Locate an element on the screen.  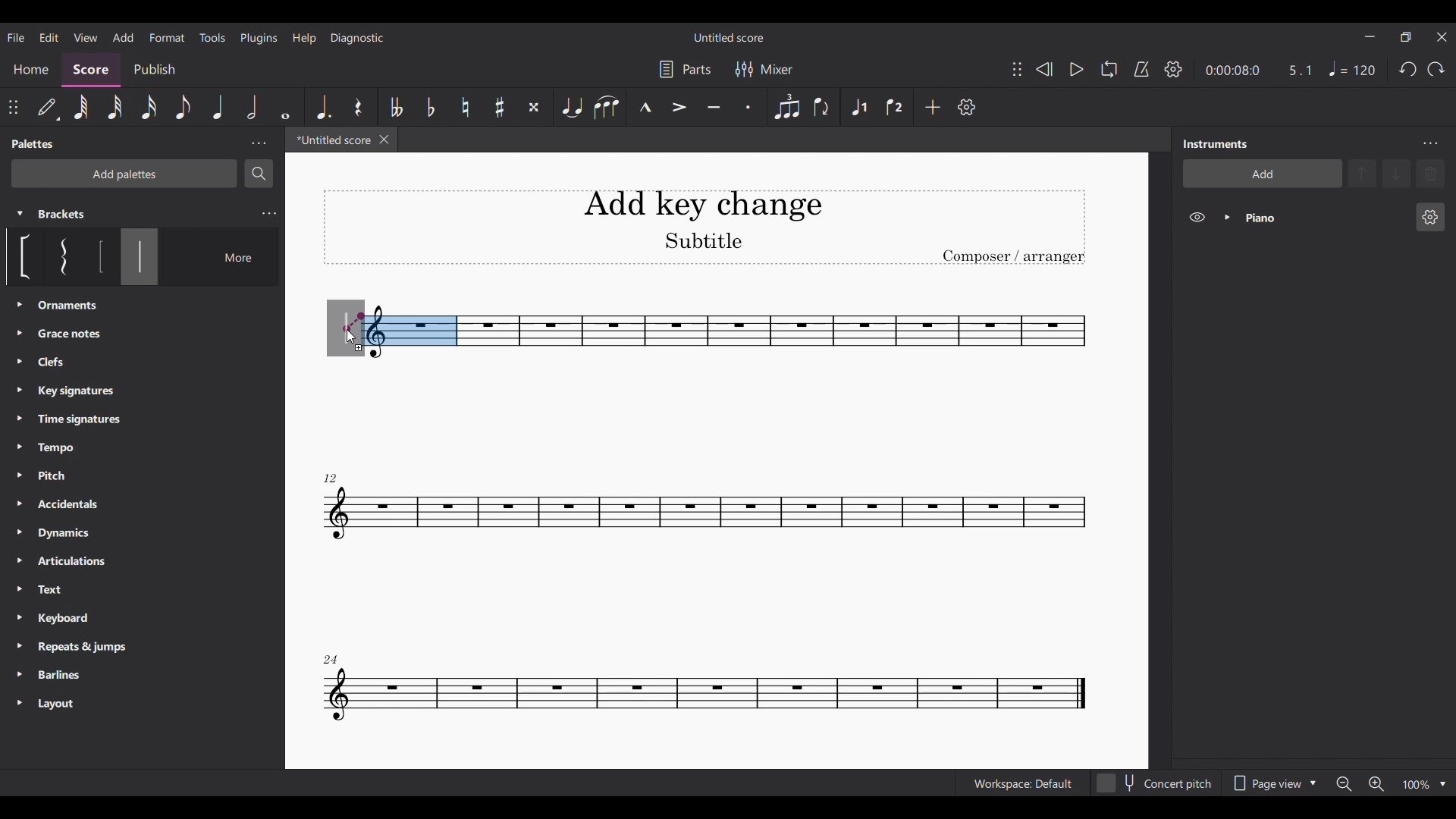
Title of current selection is located at coordinates (62, 214).